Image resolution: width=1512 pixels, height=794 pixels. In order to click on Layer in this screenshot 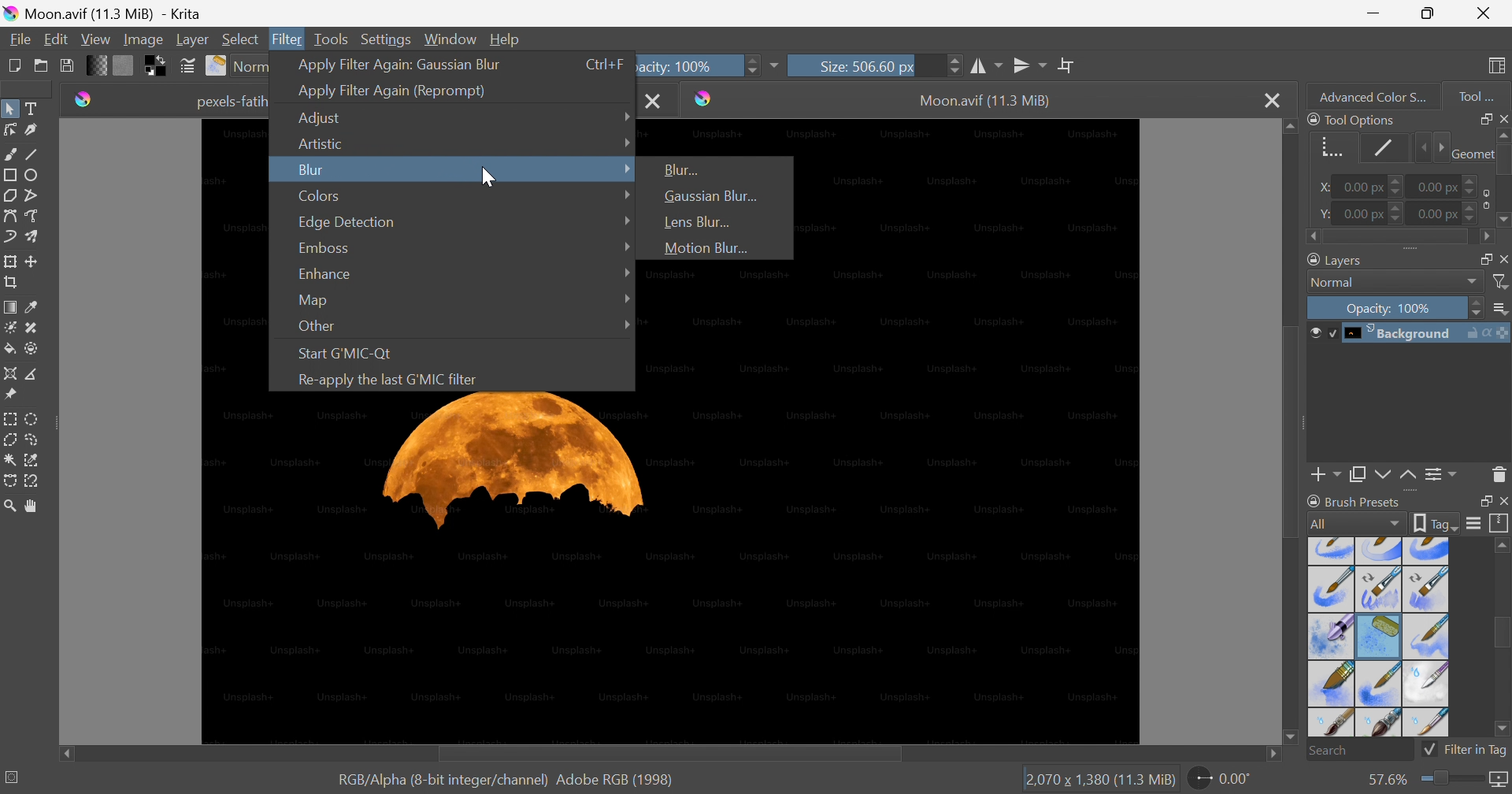, I will do `click(192, 41)`.